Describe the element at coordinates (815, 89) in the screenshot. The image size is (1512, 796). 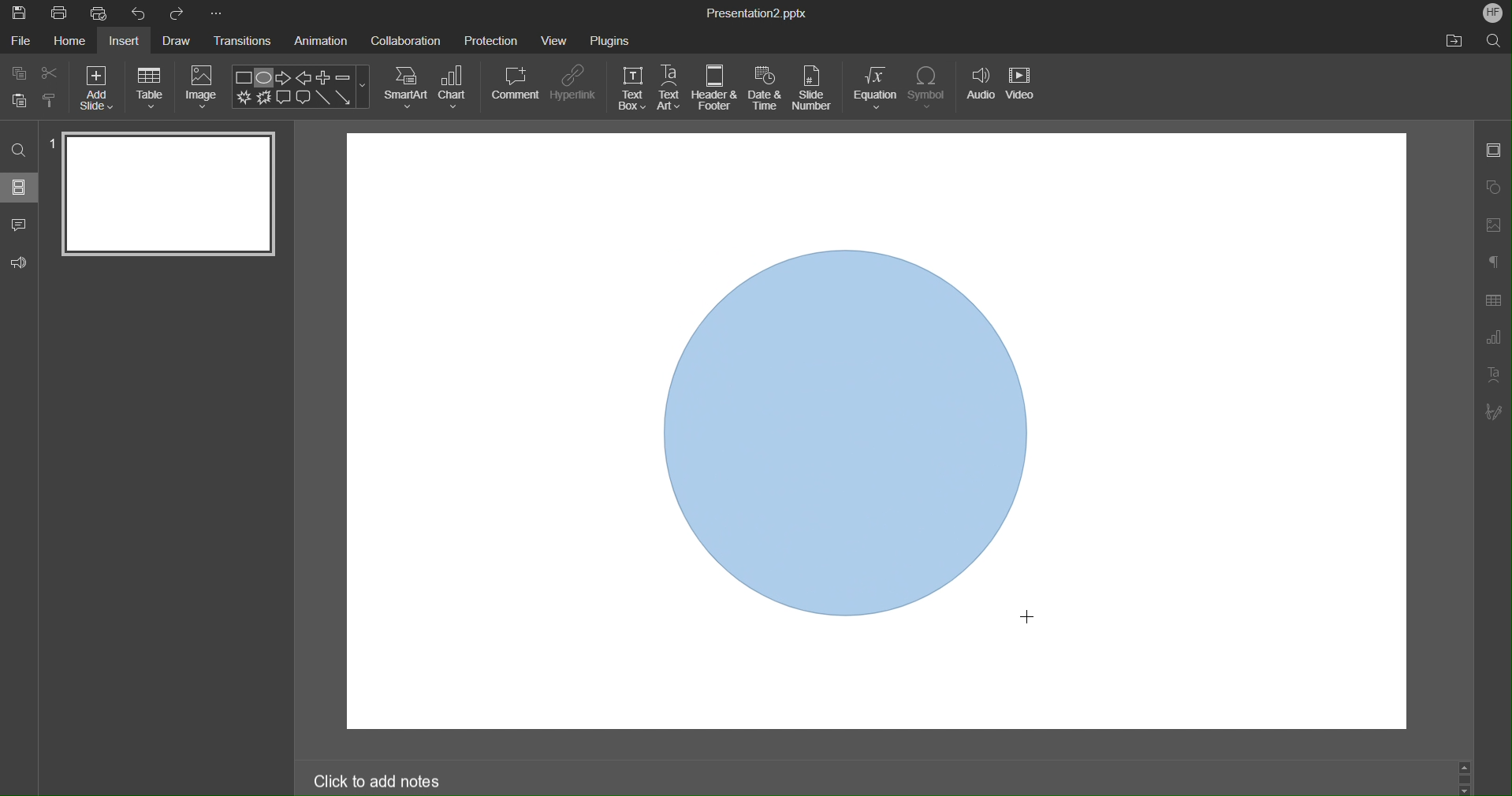
I see `Slide Number` at that location.